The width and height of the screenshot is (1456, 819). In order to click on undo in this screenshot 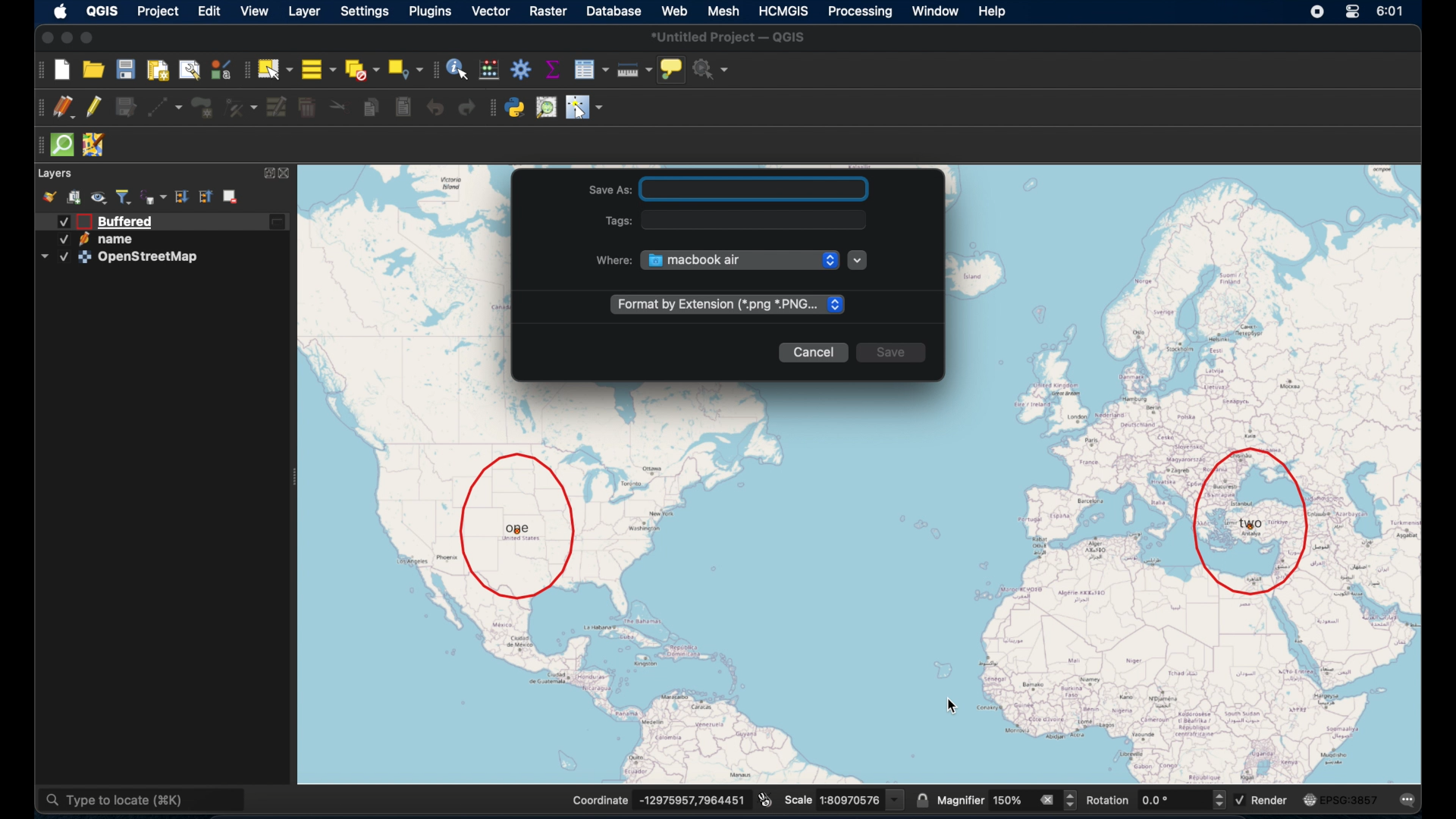, I will do `click(434, 108)`.